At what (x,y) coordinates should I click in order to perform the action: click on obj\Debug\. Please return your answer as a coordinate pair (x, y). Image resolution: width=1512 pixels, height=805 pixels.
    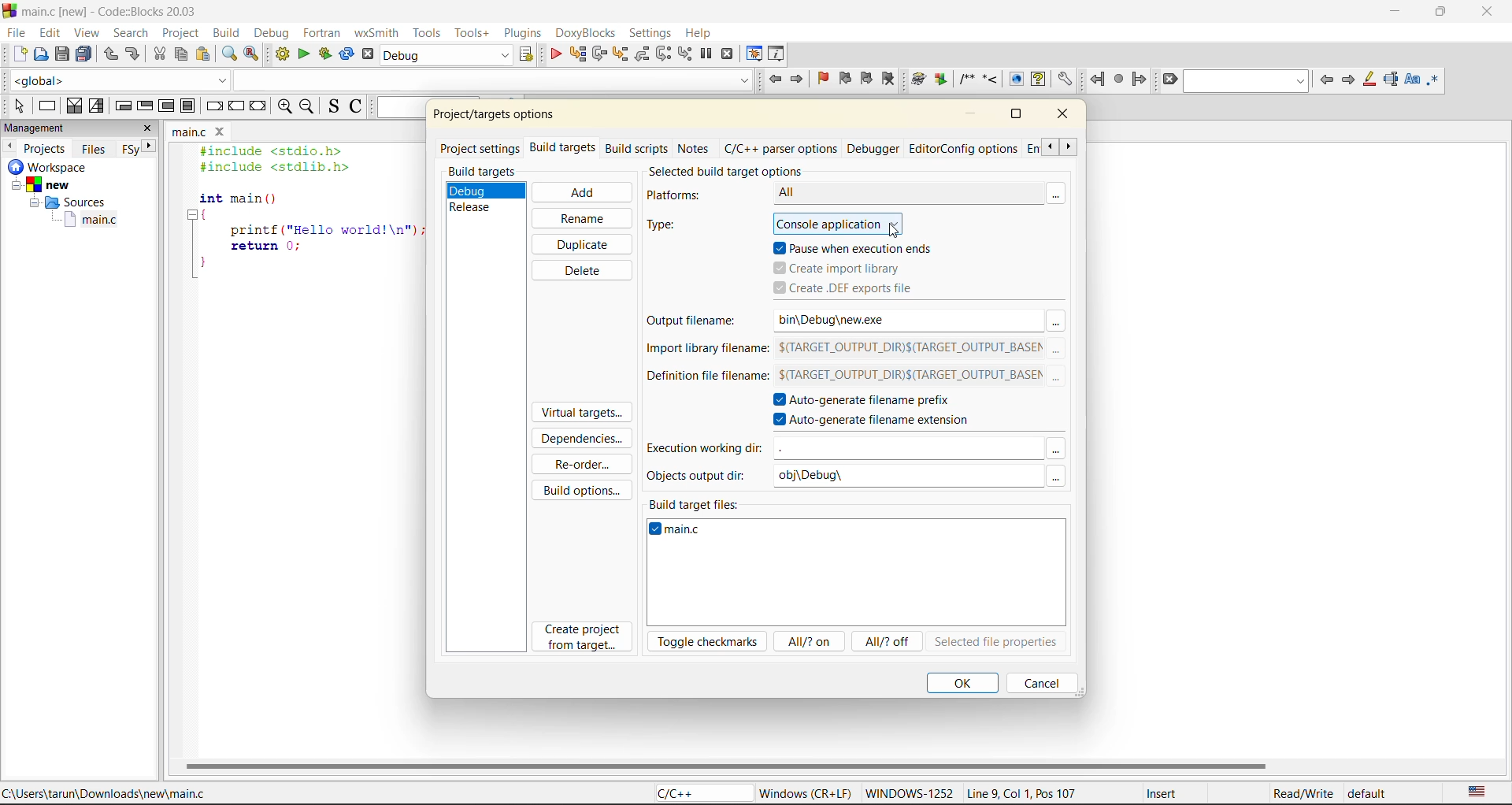
    Looking at the image, I should click on (905, 476).